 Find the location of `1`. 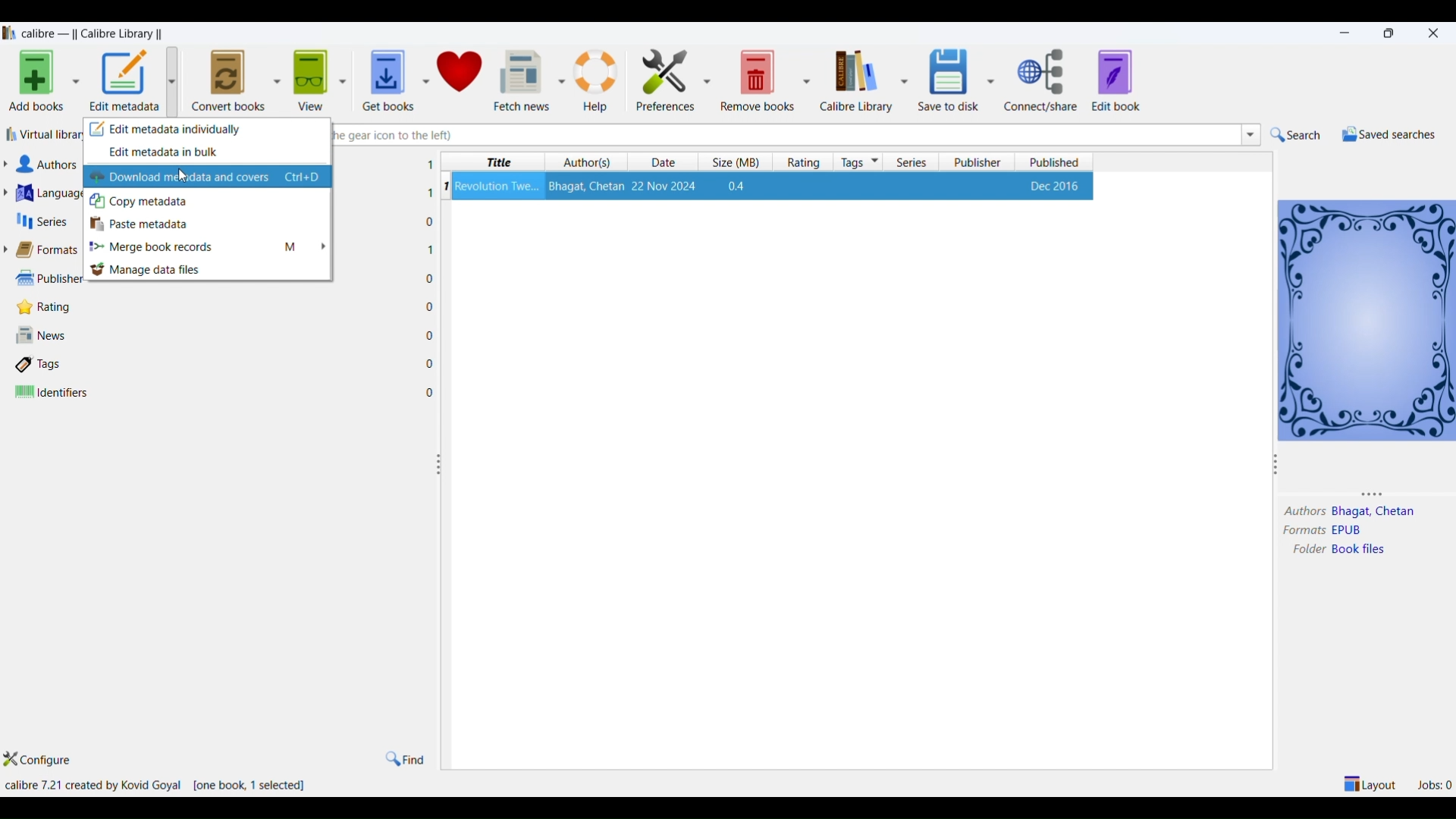

1 is located at coordinates (430, 165).